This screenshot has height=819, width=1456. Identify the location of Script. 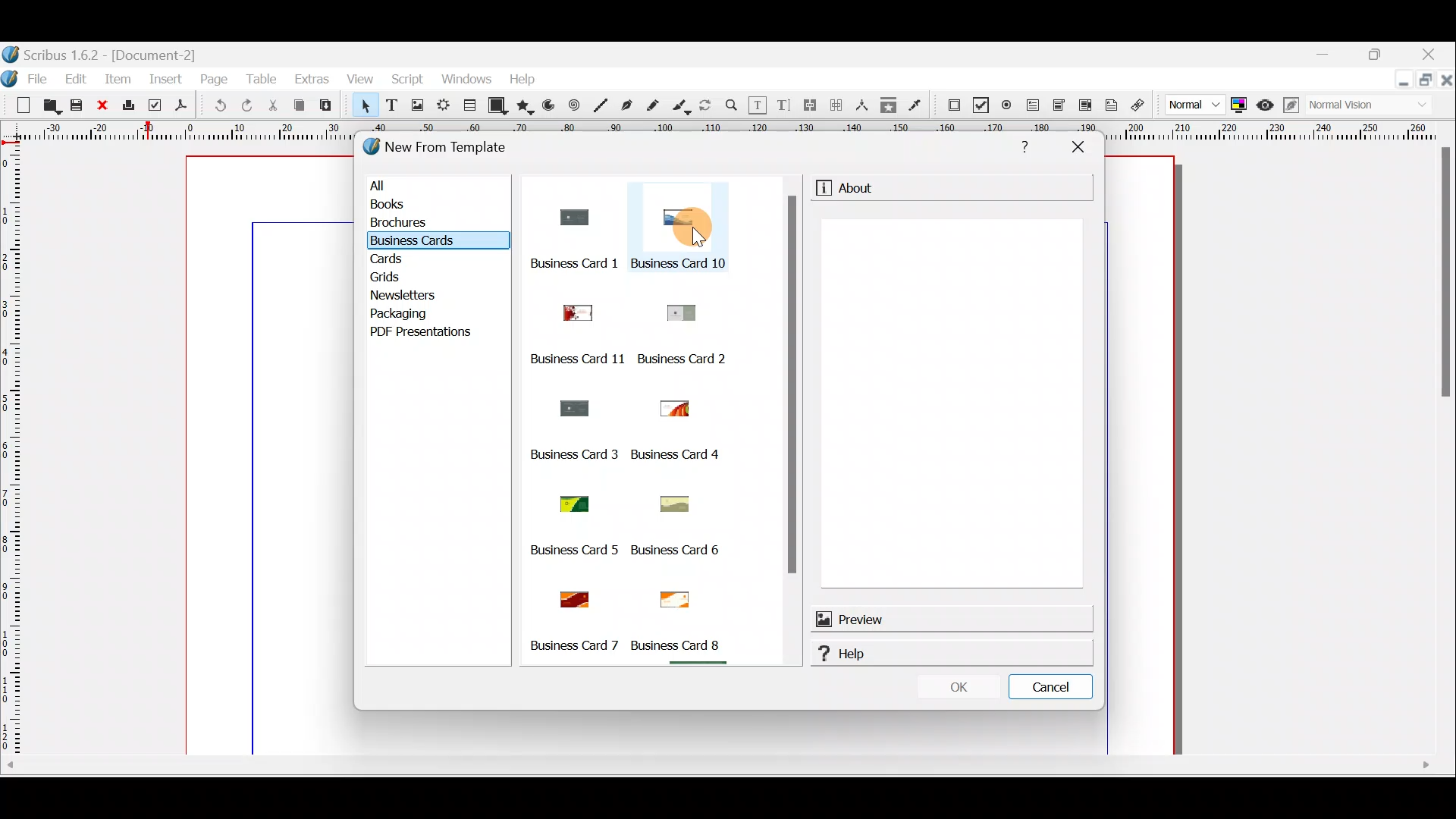
(409, 81).